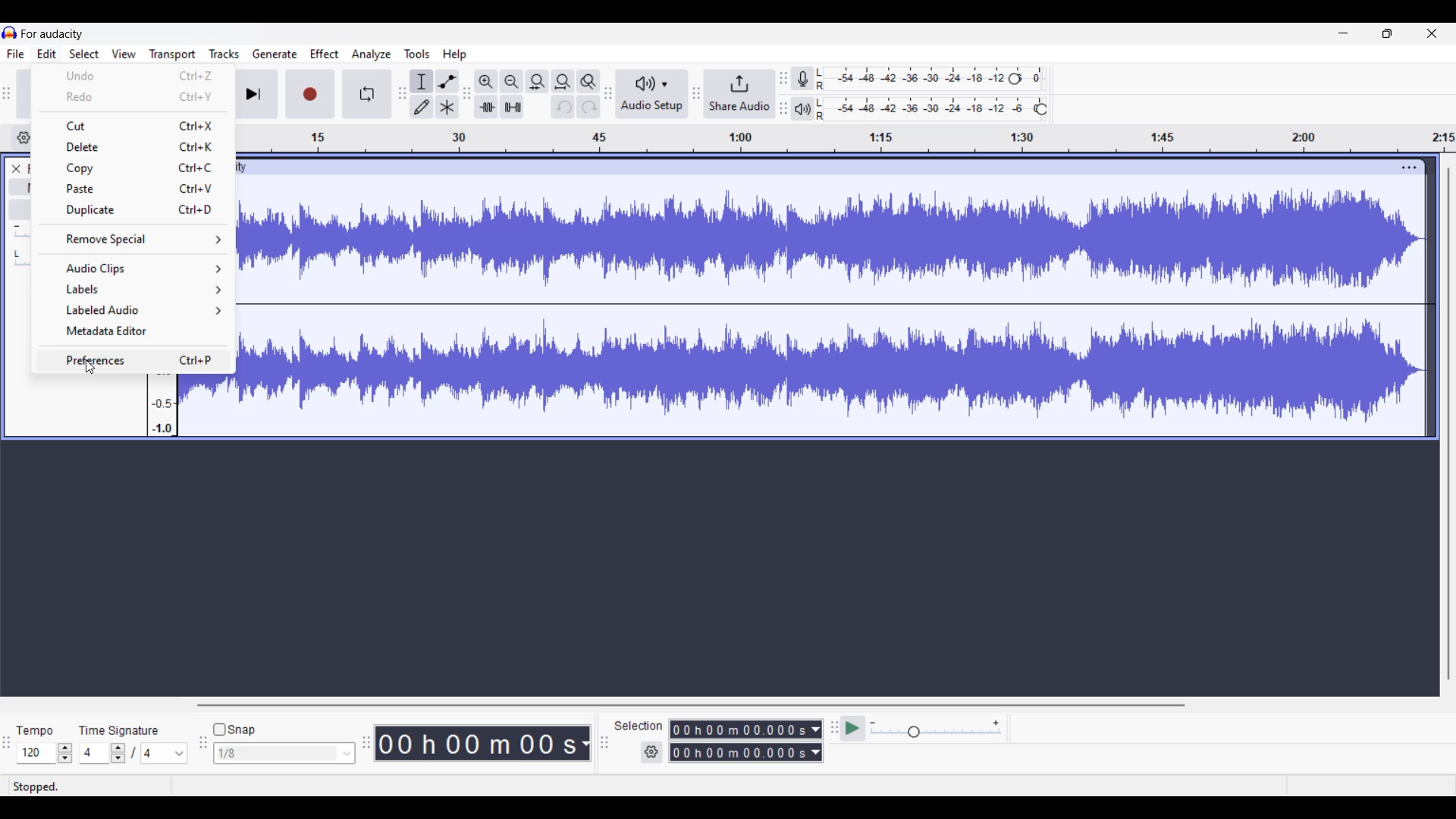  I want to click on undo, so click(130, 74).